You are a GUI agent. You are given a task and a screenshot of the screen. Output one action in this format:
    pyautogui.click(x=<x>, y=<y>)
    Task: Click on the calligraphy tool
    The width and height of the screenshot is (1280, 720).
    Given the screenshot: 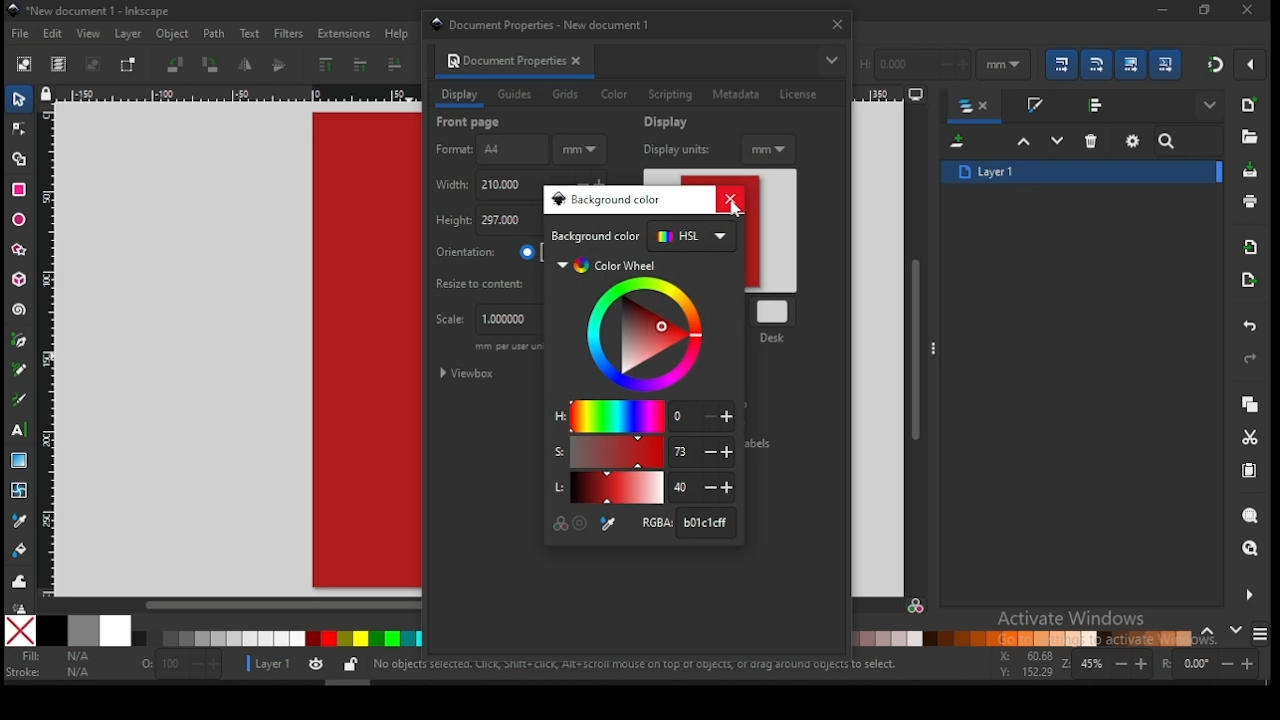 What is the action you would take?
    pyautogui.click(x=23, y=399)
    